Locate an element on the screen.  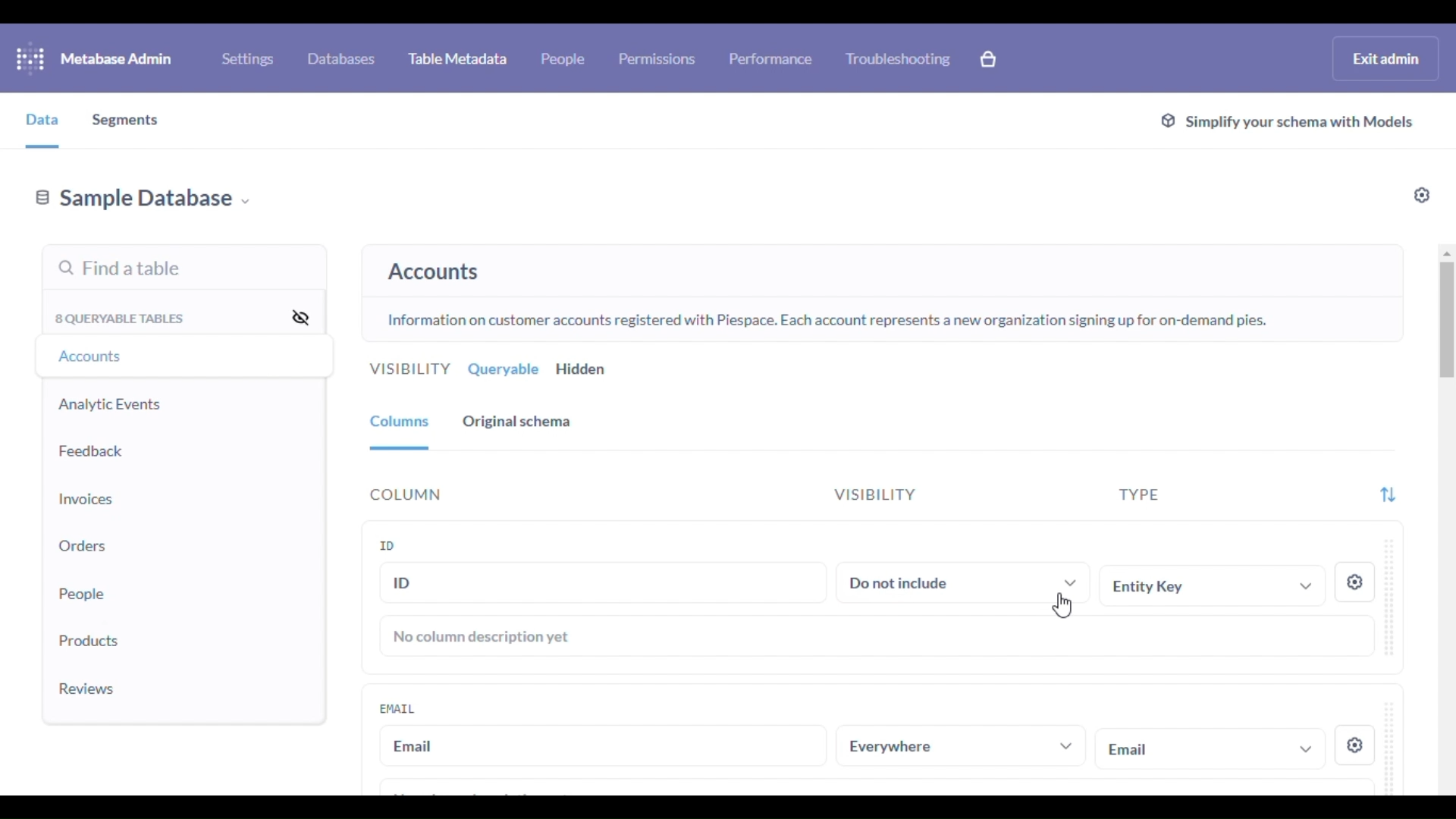
logo is located at coordinates (30, 58).